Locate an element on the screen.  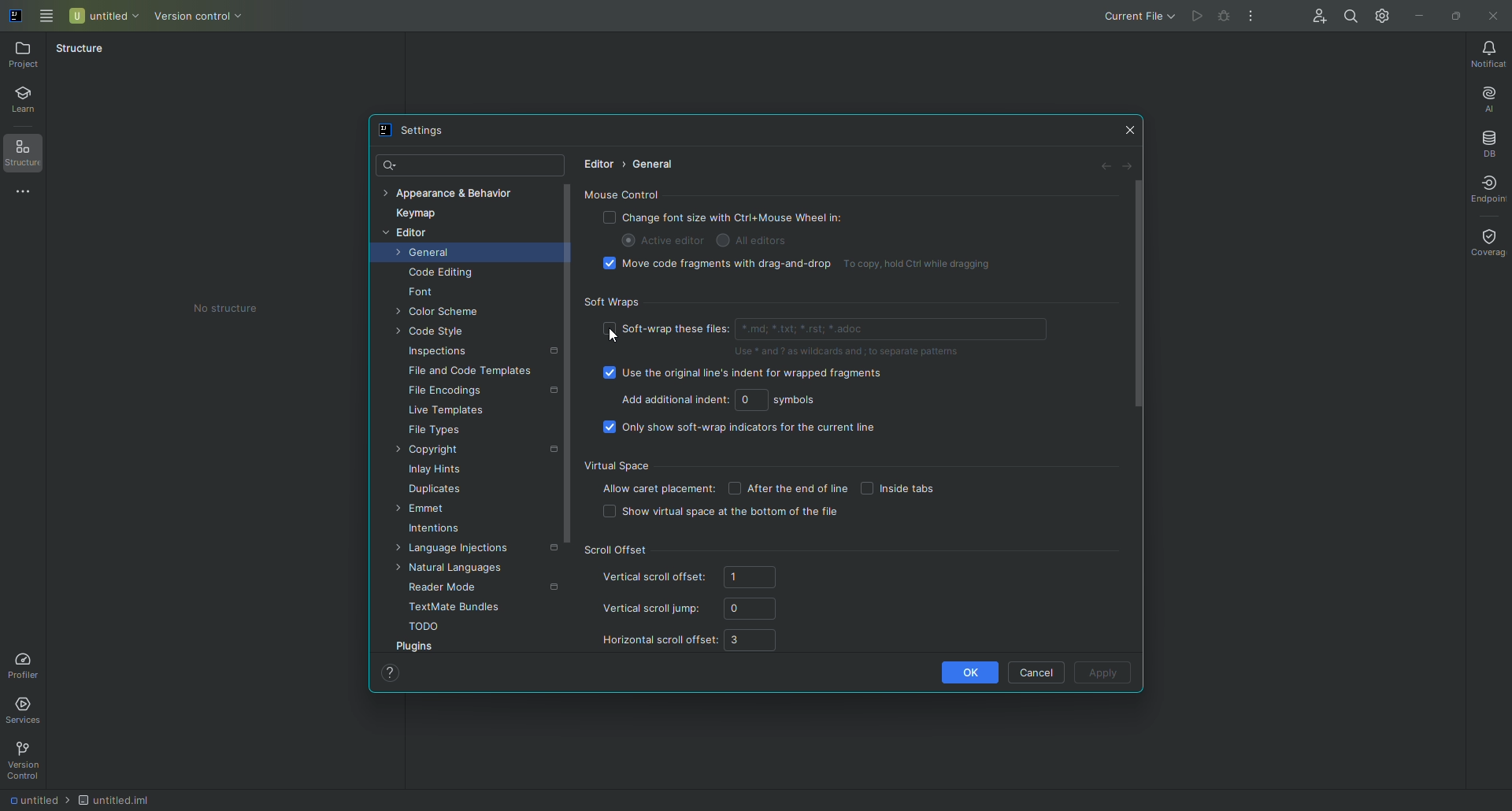
Profiler is located at coordinates (27, 663).